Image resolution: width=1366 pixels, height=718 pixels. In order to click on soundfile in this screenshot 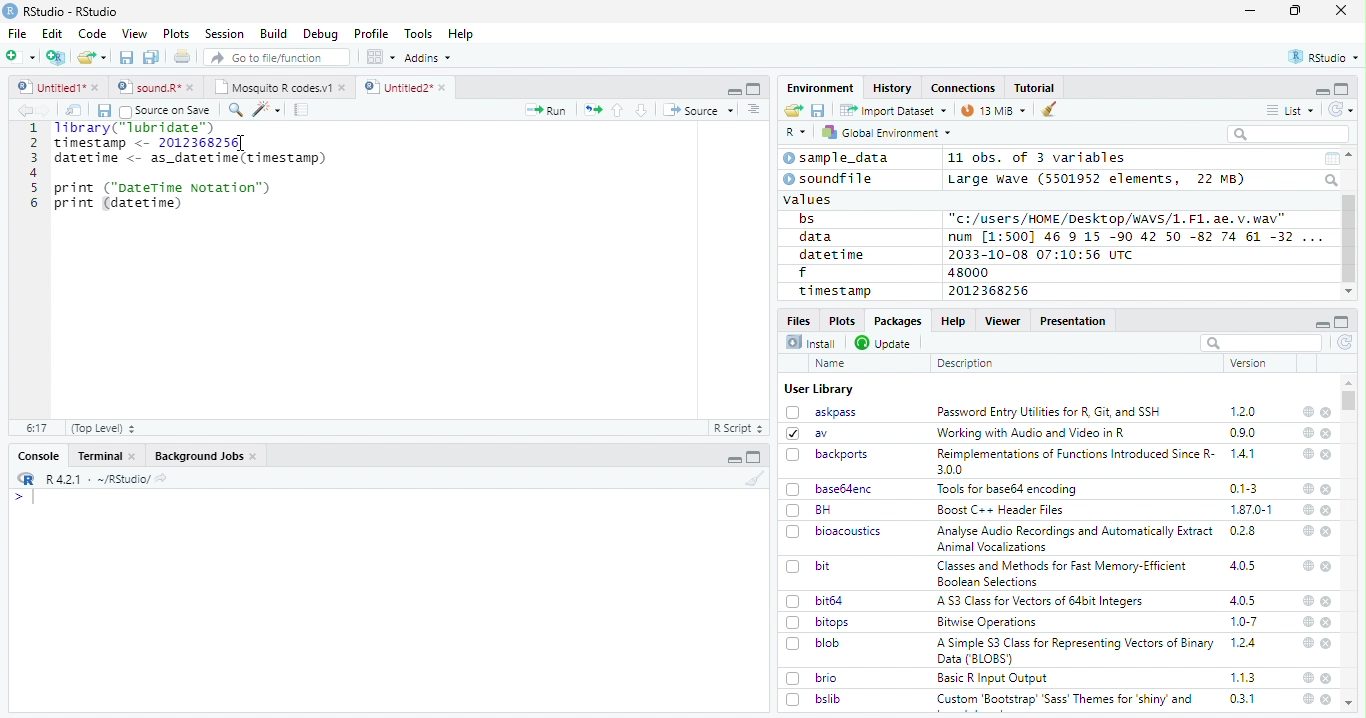, I will do `click(829, 179)`.